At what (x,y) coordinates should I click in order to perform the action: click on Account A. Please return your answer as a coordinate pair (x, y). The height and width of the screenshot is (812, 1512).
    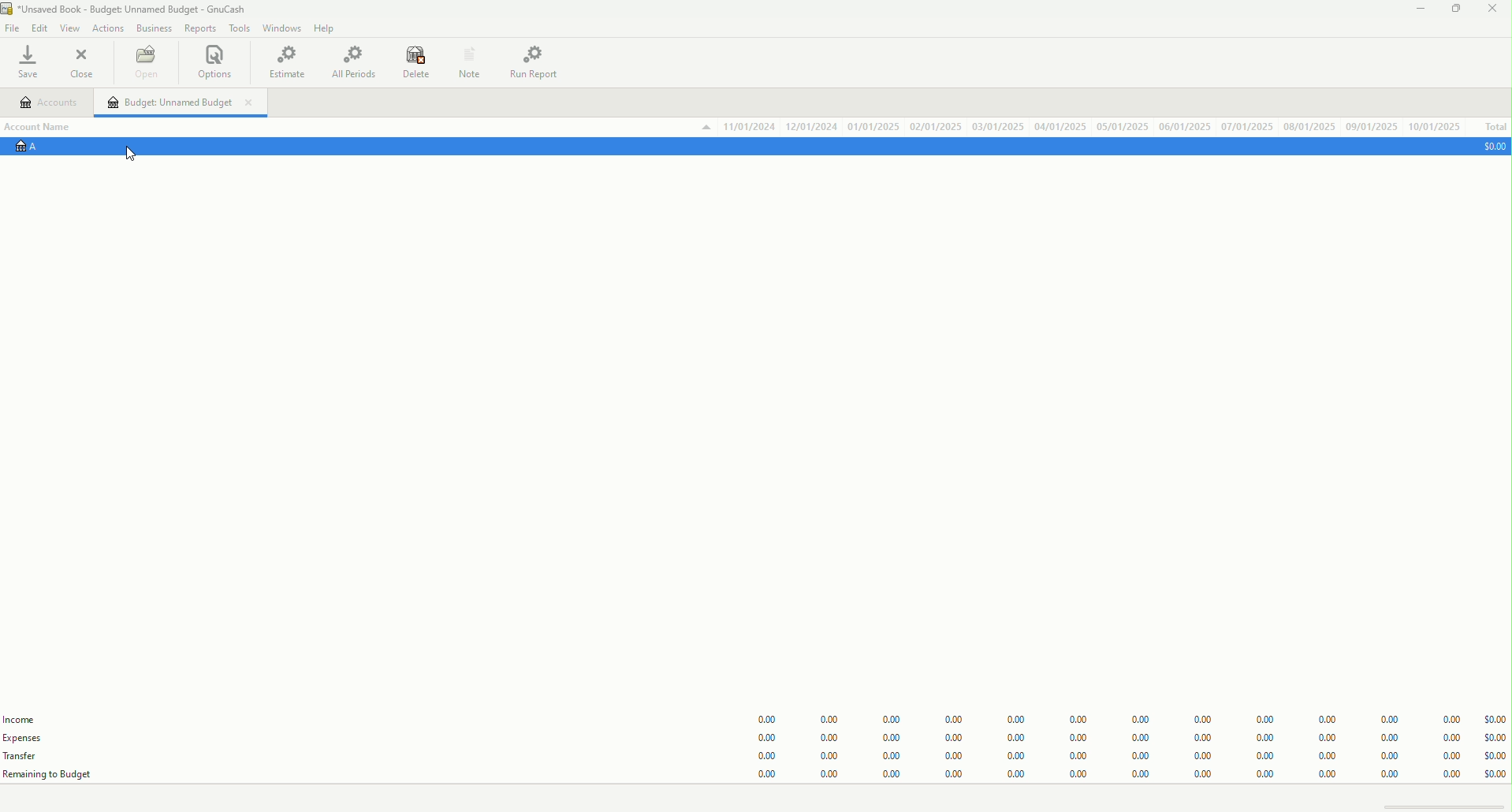
    Looking at the image, I should click on (33, 145).